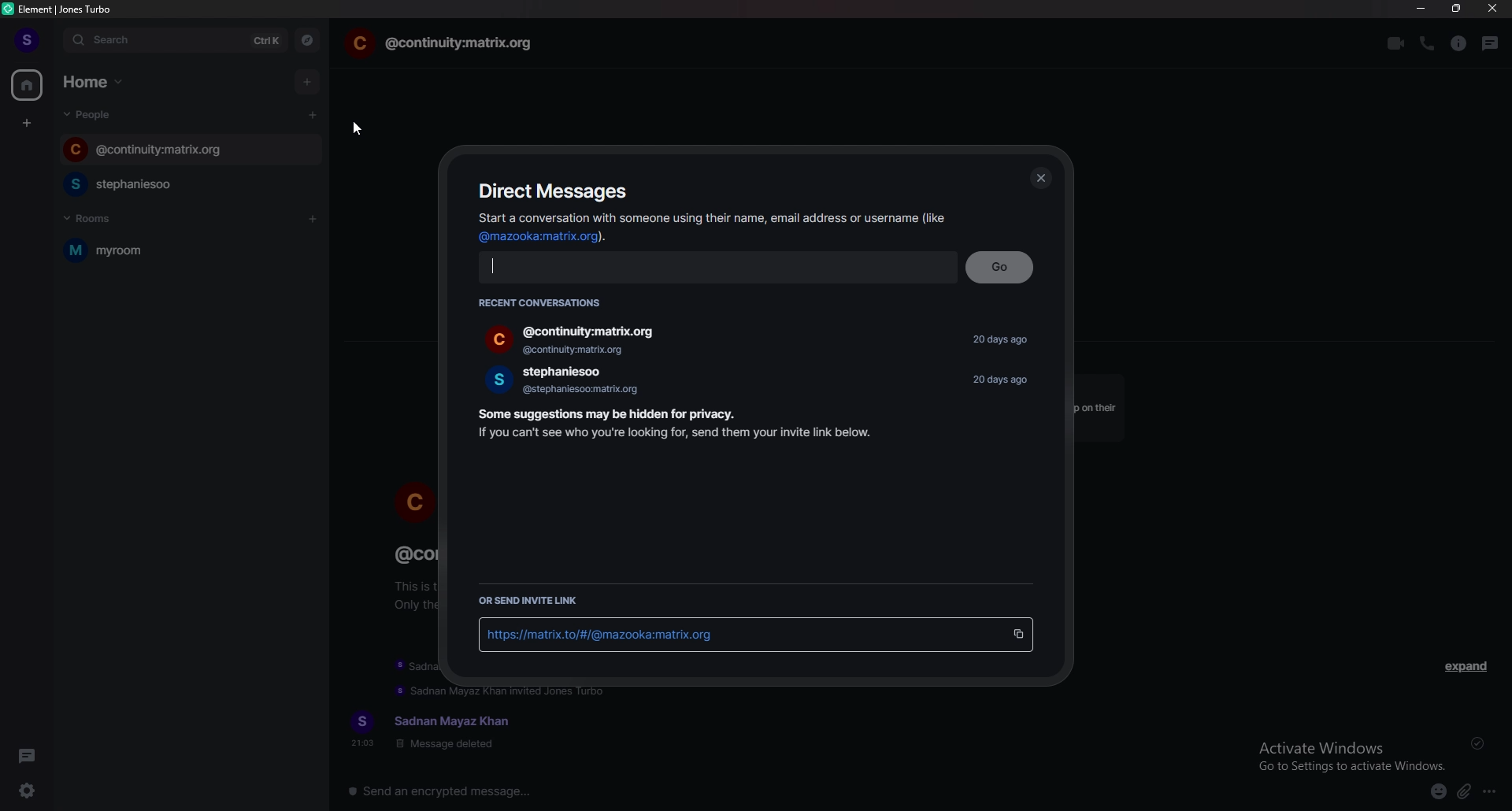 Image resolution: width=1512 pixels, height=811 pixels. Describe the element at coordinates (177, 41) in the screenshot. I see `search` at that location.